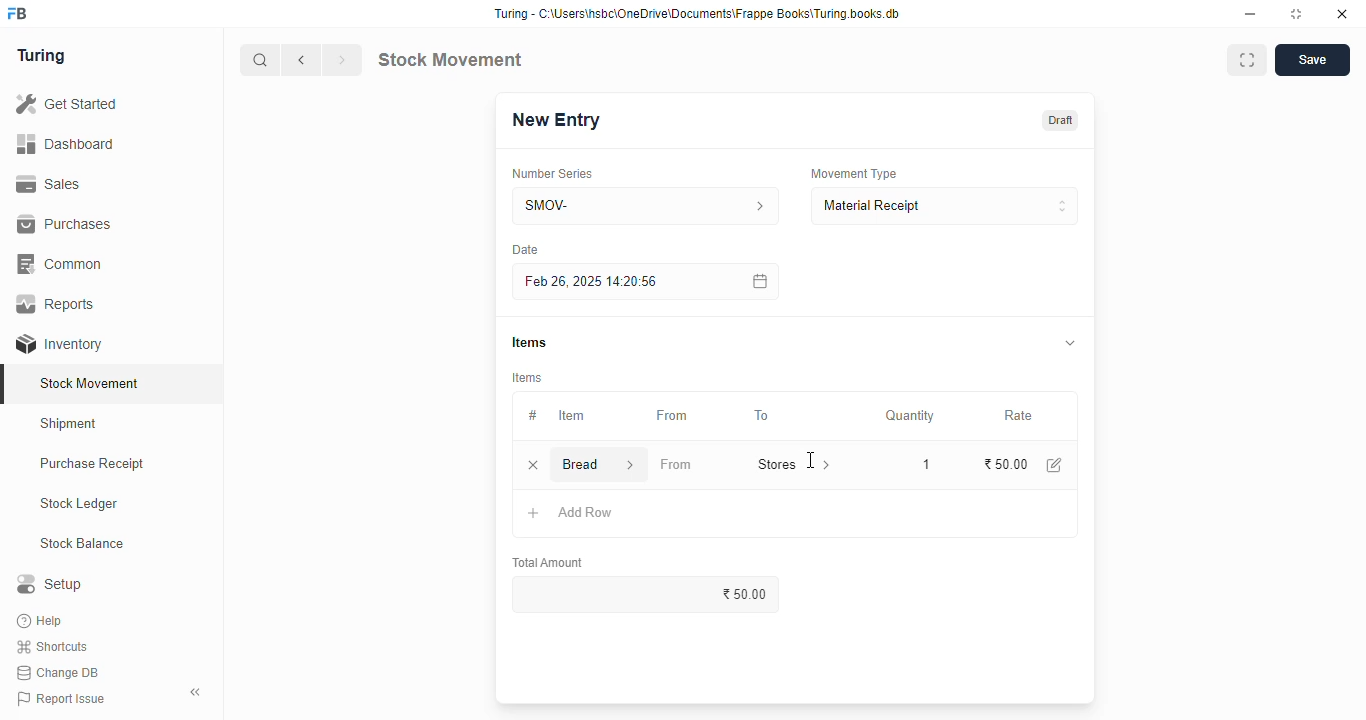 This screenshot has height=720, width=1366. Describe the element at coordinates (1313, 60) in the screenshot. I see `save` at that location.